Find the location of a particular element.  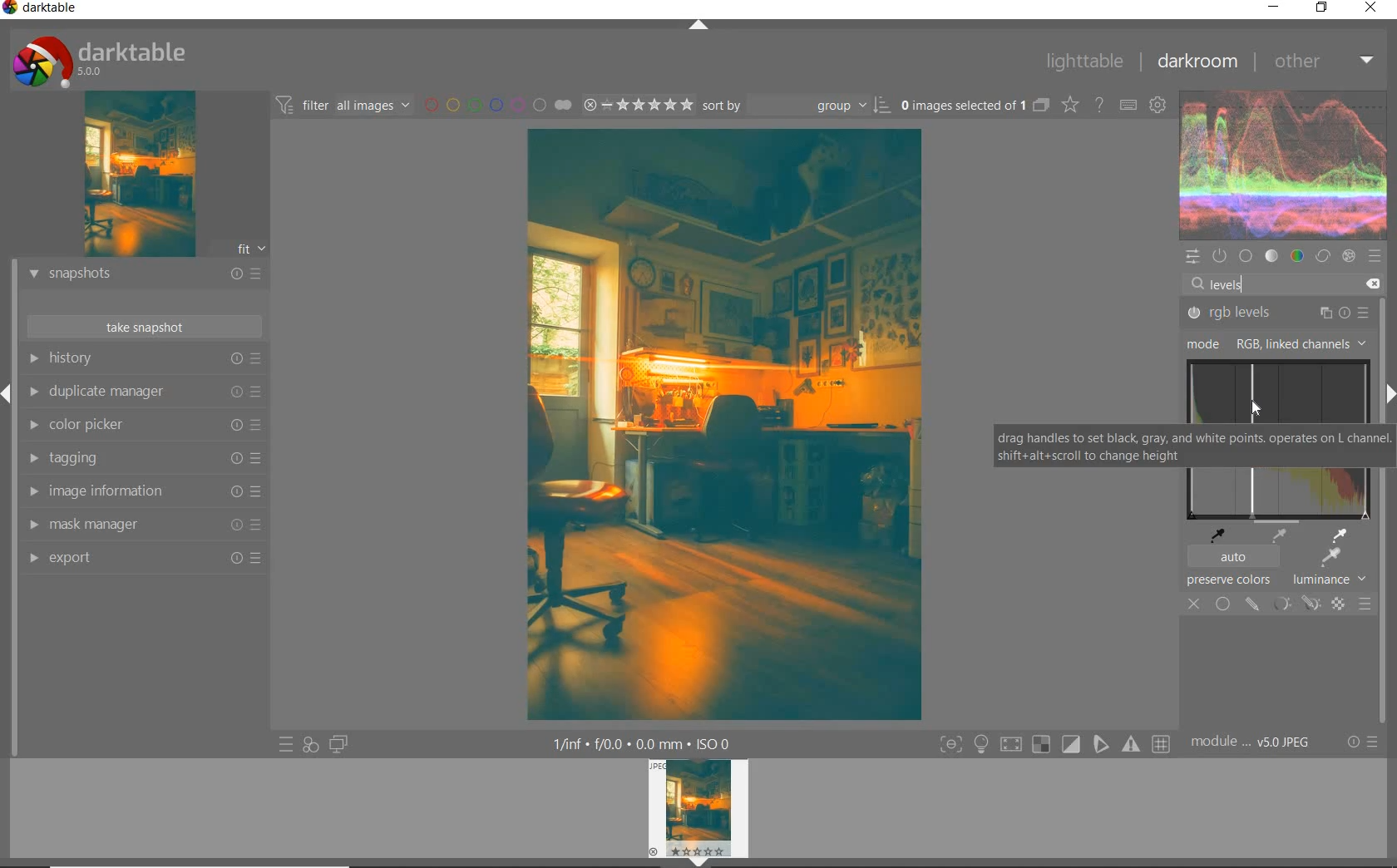

duplicate manager is located at coordinates (143, 392).